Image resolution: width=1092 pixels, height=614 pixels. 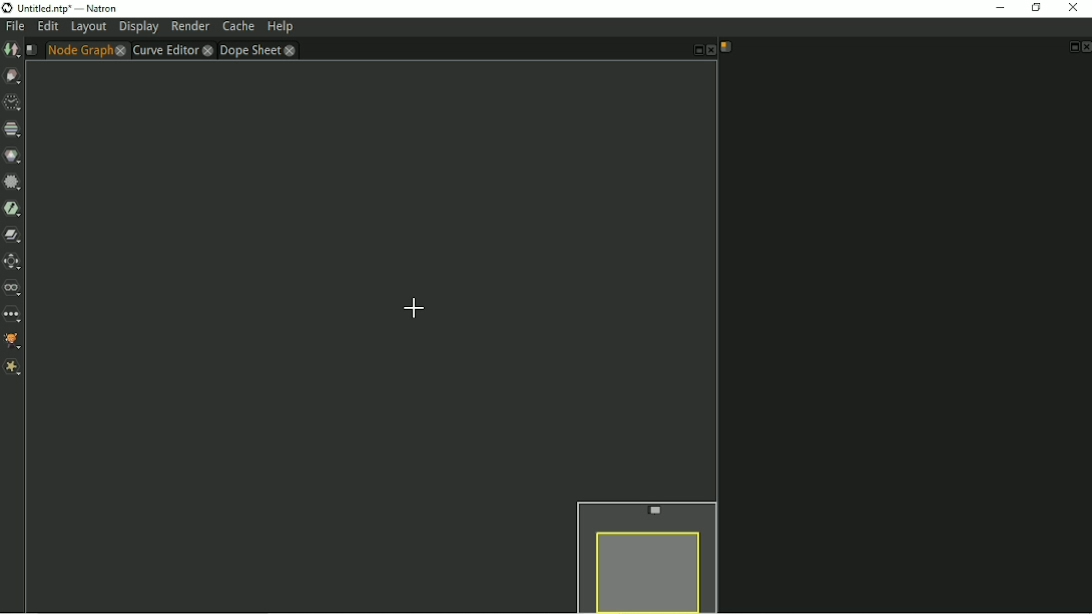 I want to click on Cache, so click(x=238, y=27).